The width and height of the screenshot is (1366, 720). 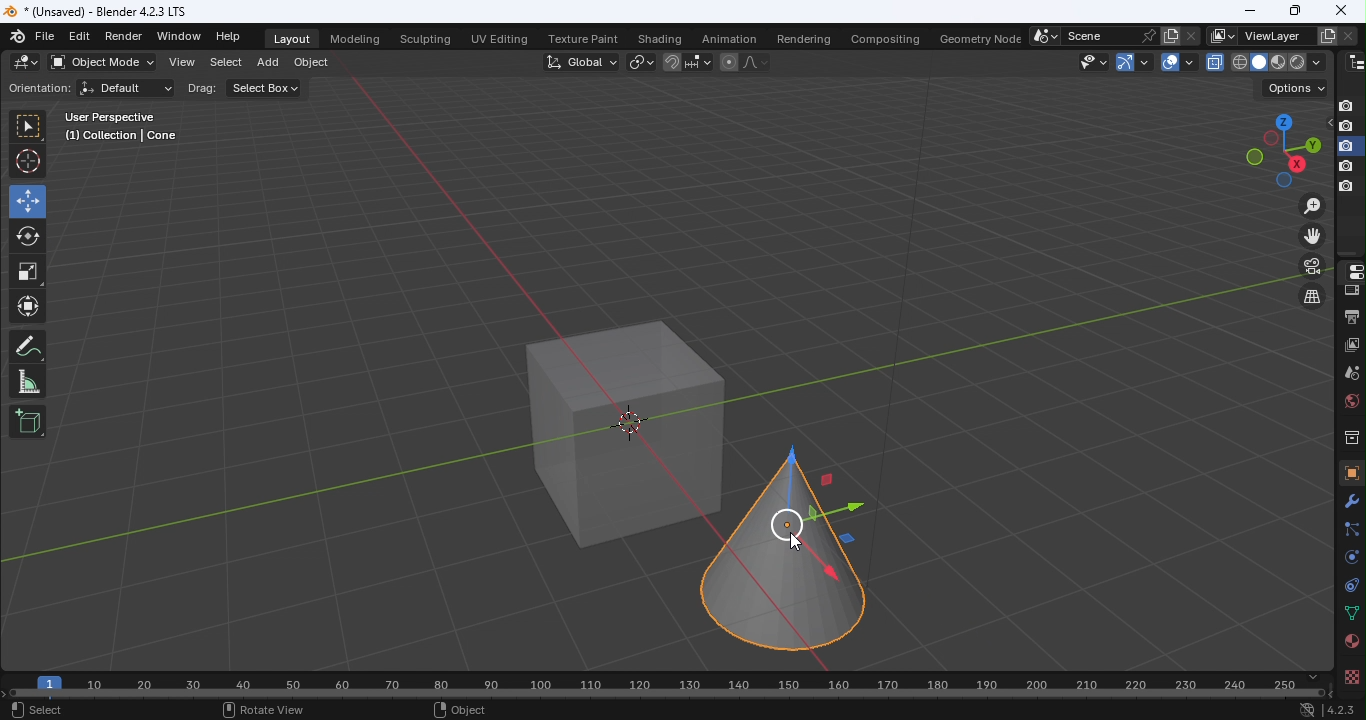 What do you see at coordinates (1345, 167) in the screenshot?
I see `disable in renders` at bounding box center [1345, 167].